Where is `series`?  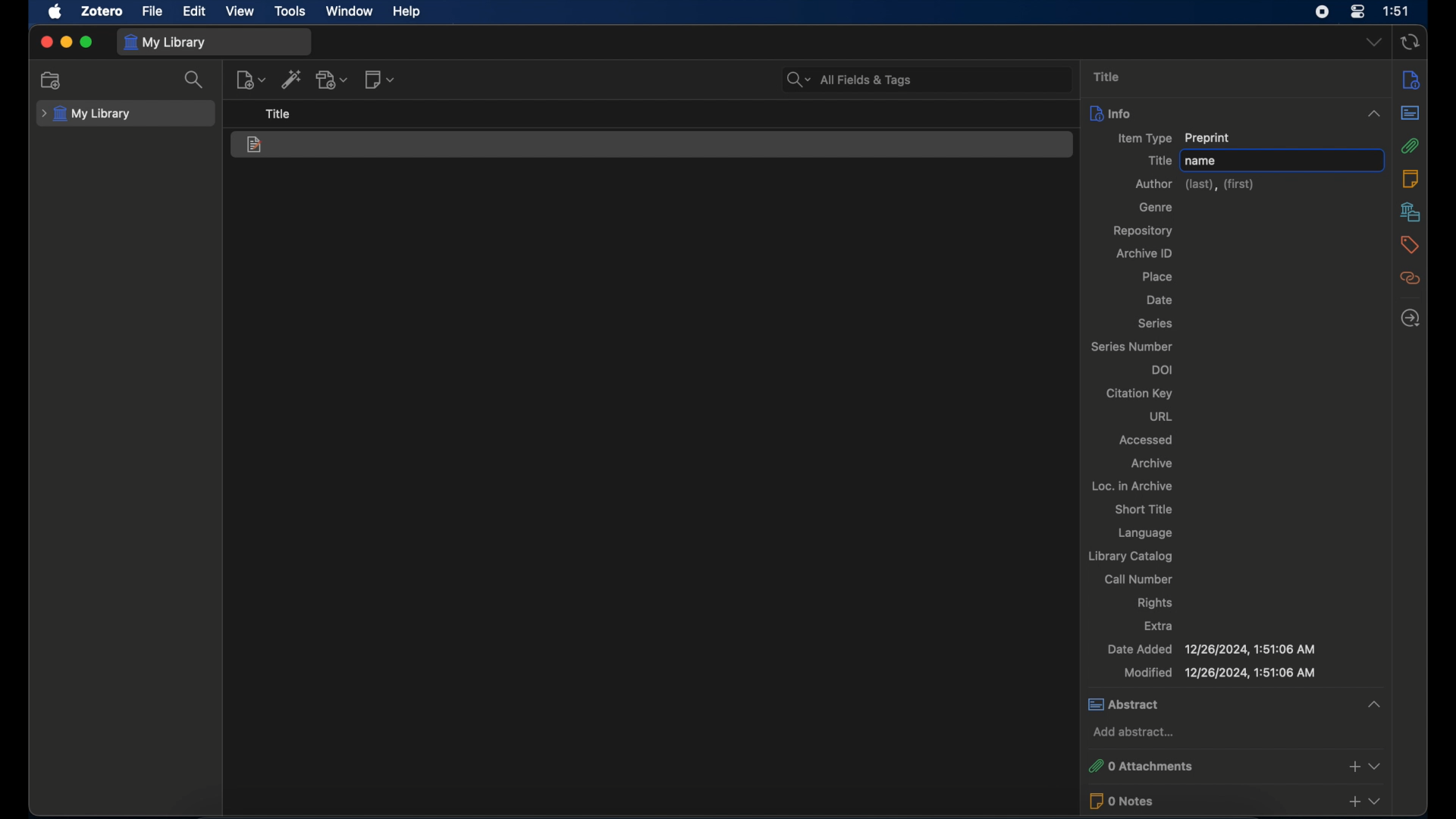
series is located at coordinates (1156, 324).